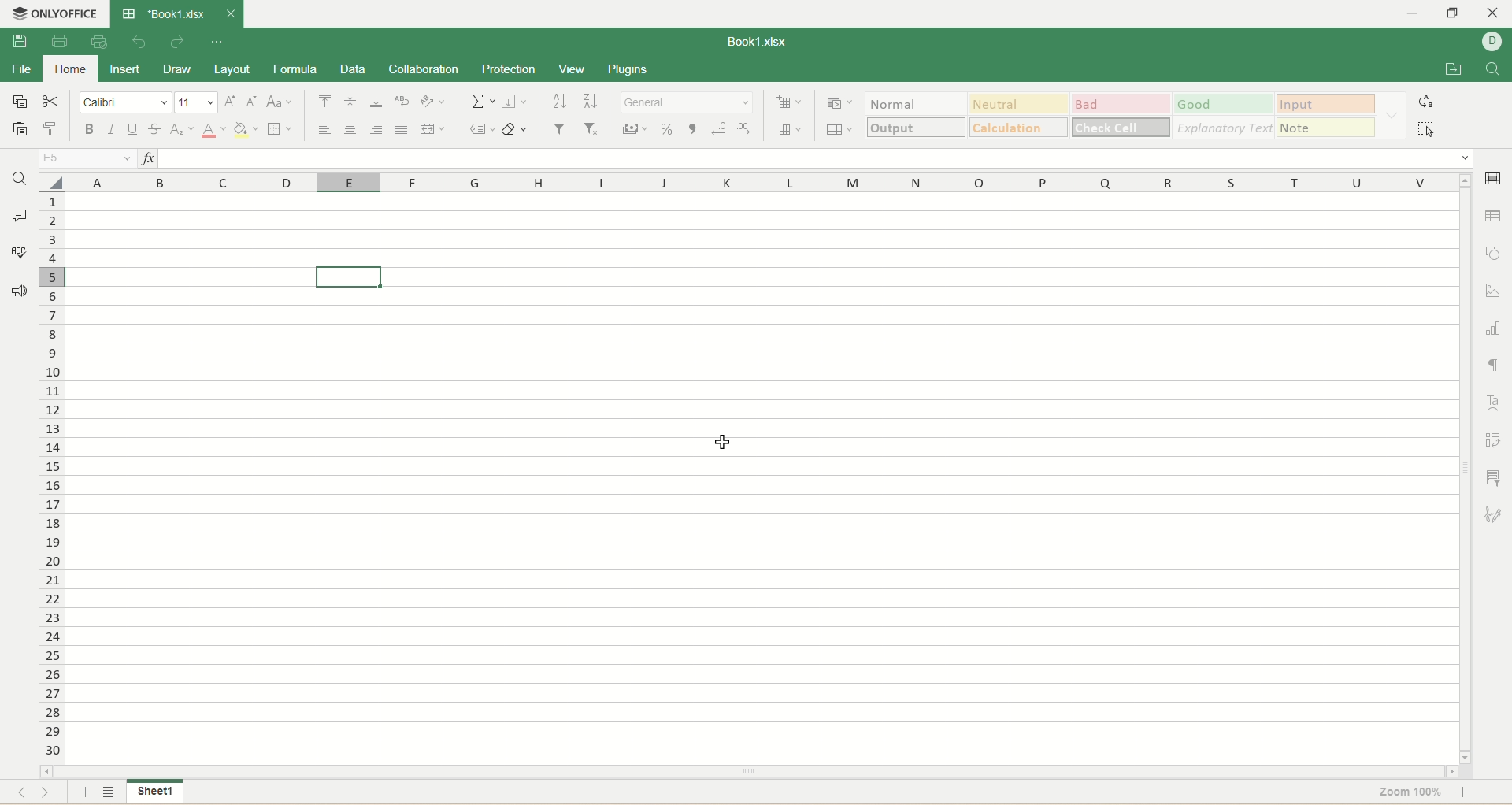 This screenshot has height=805, width=1512. I want to click on comment, so click(20, 217).